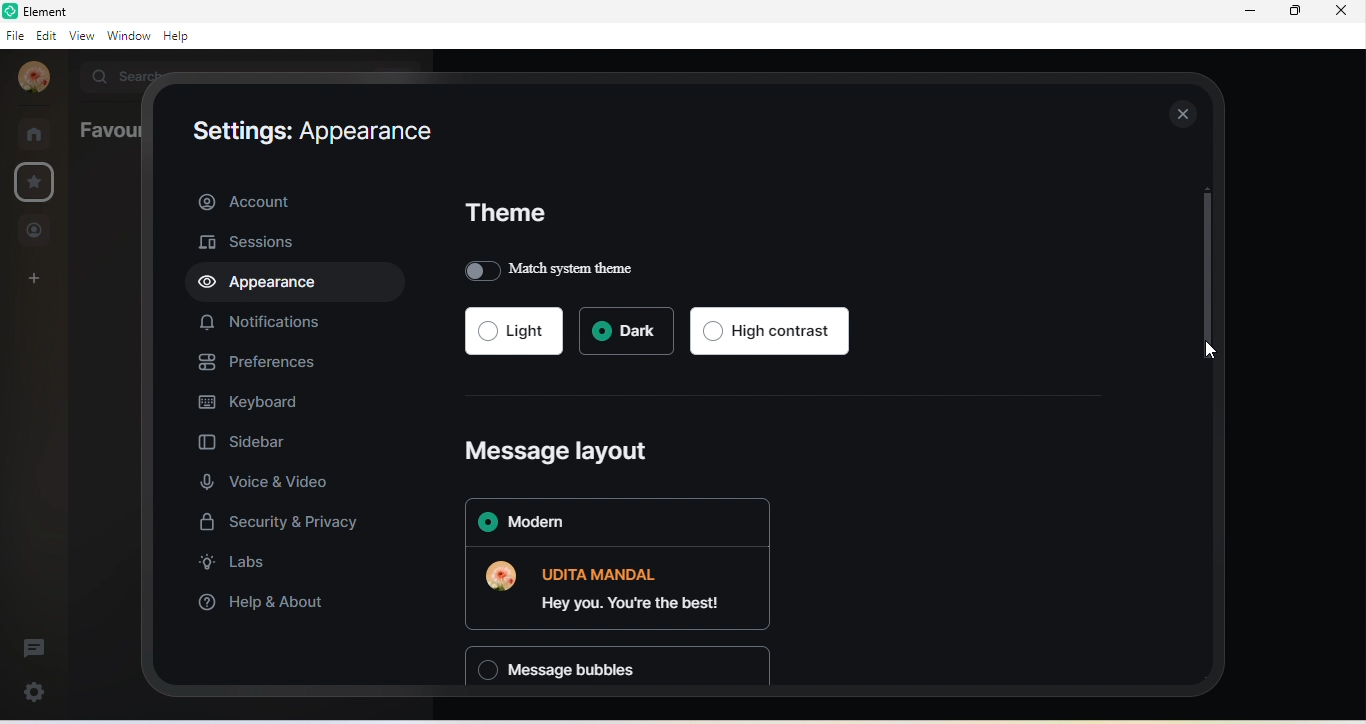  Describe the element at coordinates (625, 331) in the screenshot. I see `dark` at that location.